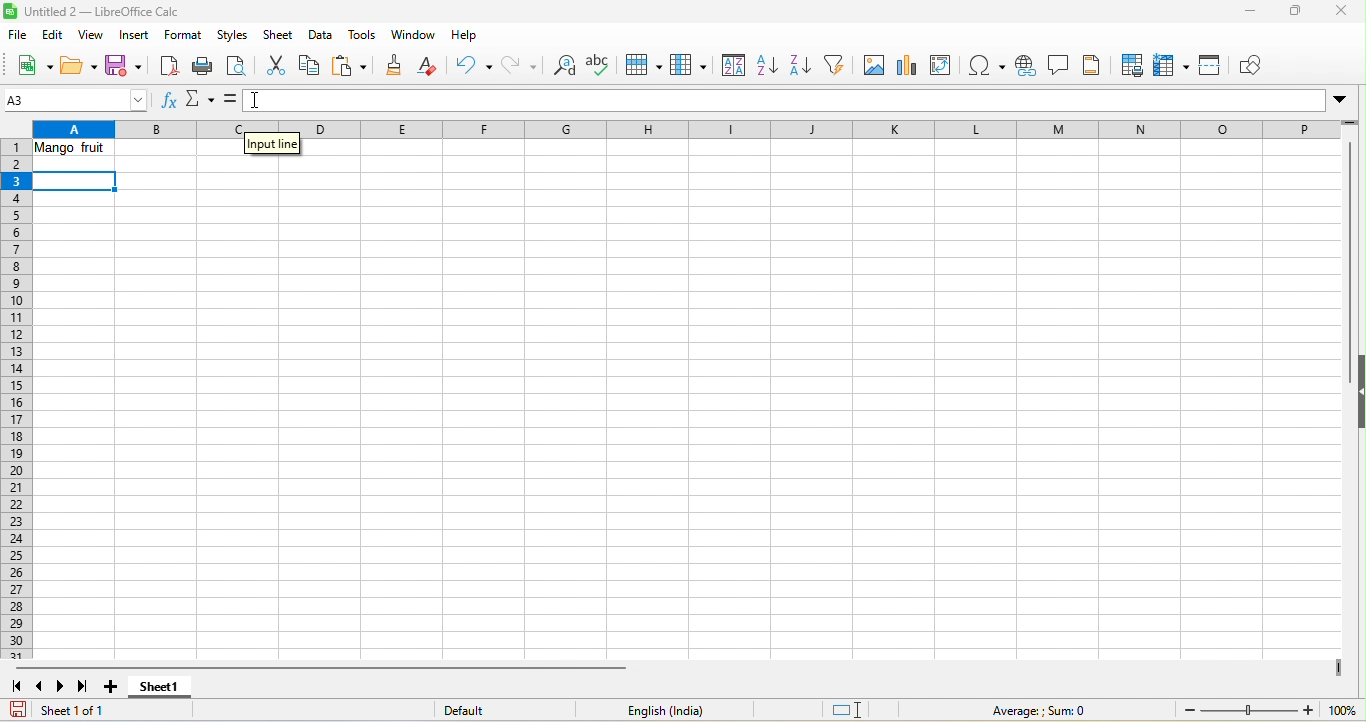 The width and height of the screenshot is (1366, 722). Describe the element at coordinates (434, 68) in the screenshot. I see `clear direct formatting` at that location.